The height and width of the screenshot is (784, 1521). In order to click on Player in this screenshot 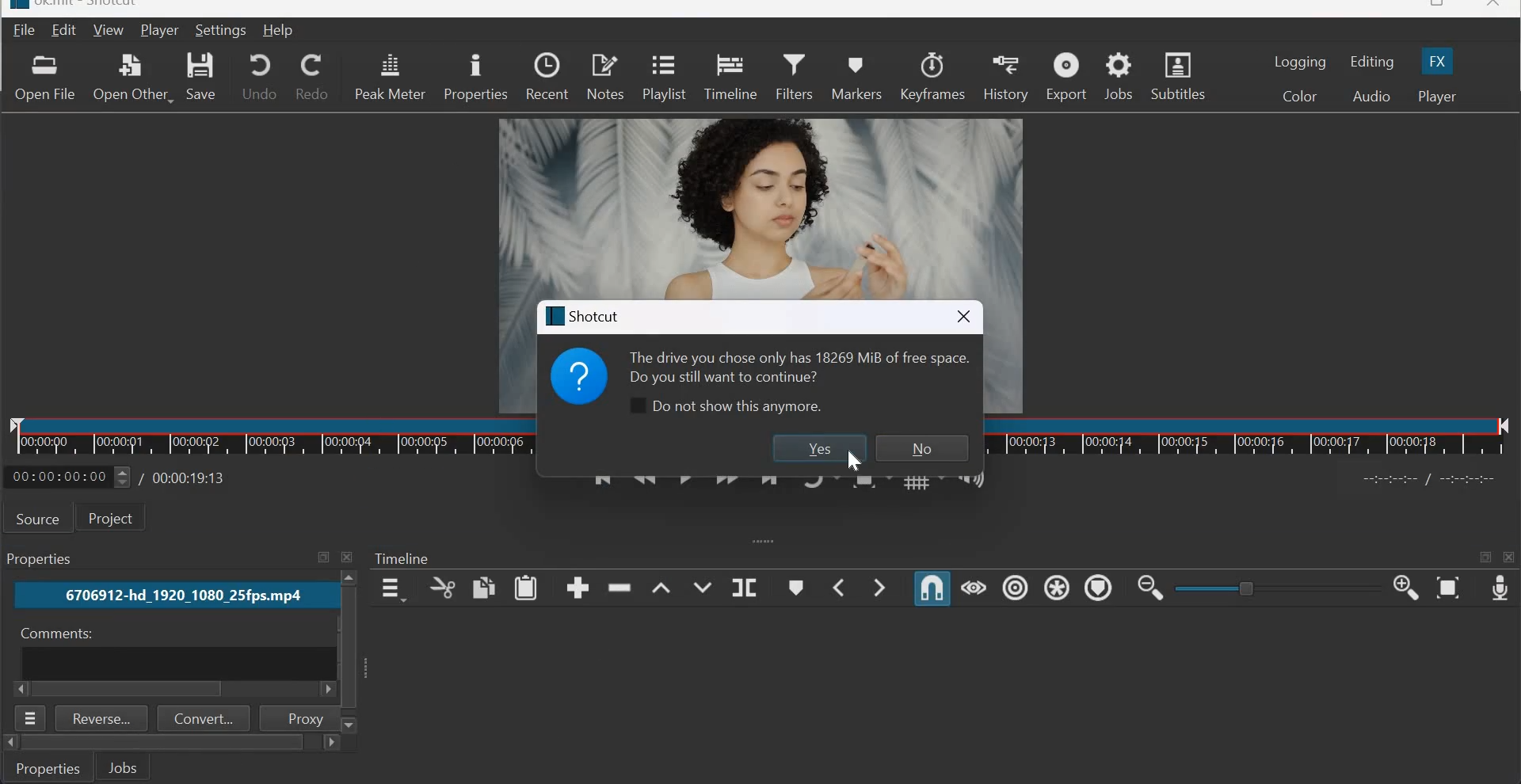, I will do `click(159, 30)`.